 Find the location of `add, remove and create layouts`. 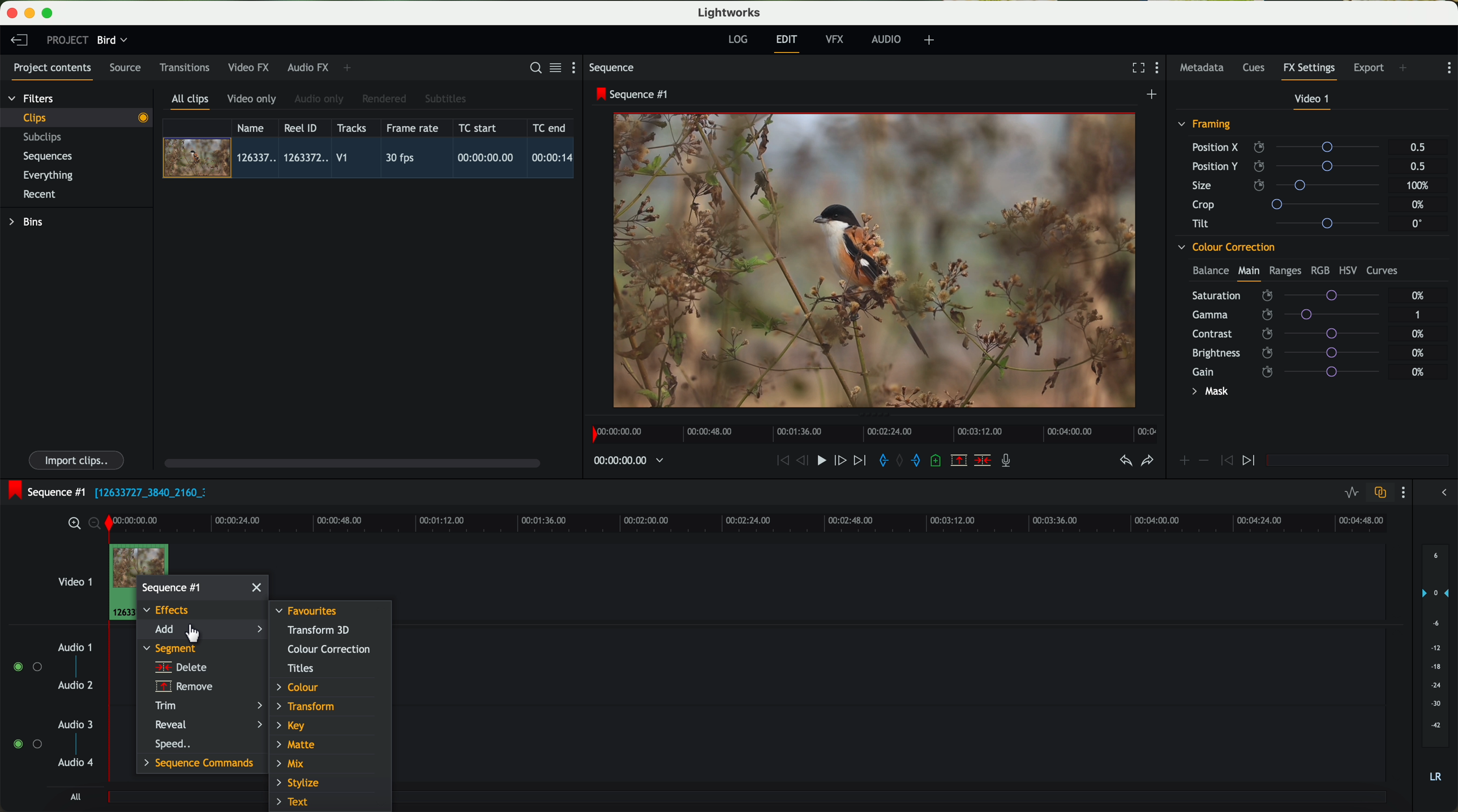

add, remove and create layouts is located at coordinates (931, 40).